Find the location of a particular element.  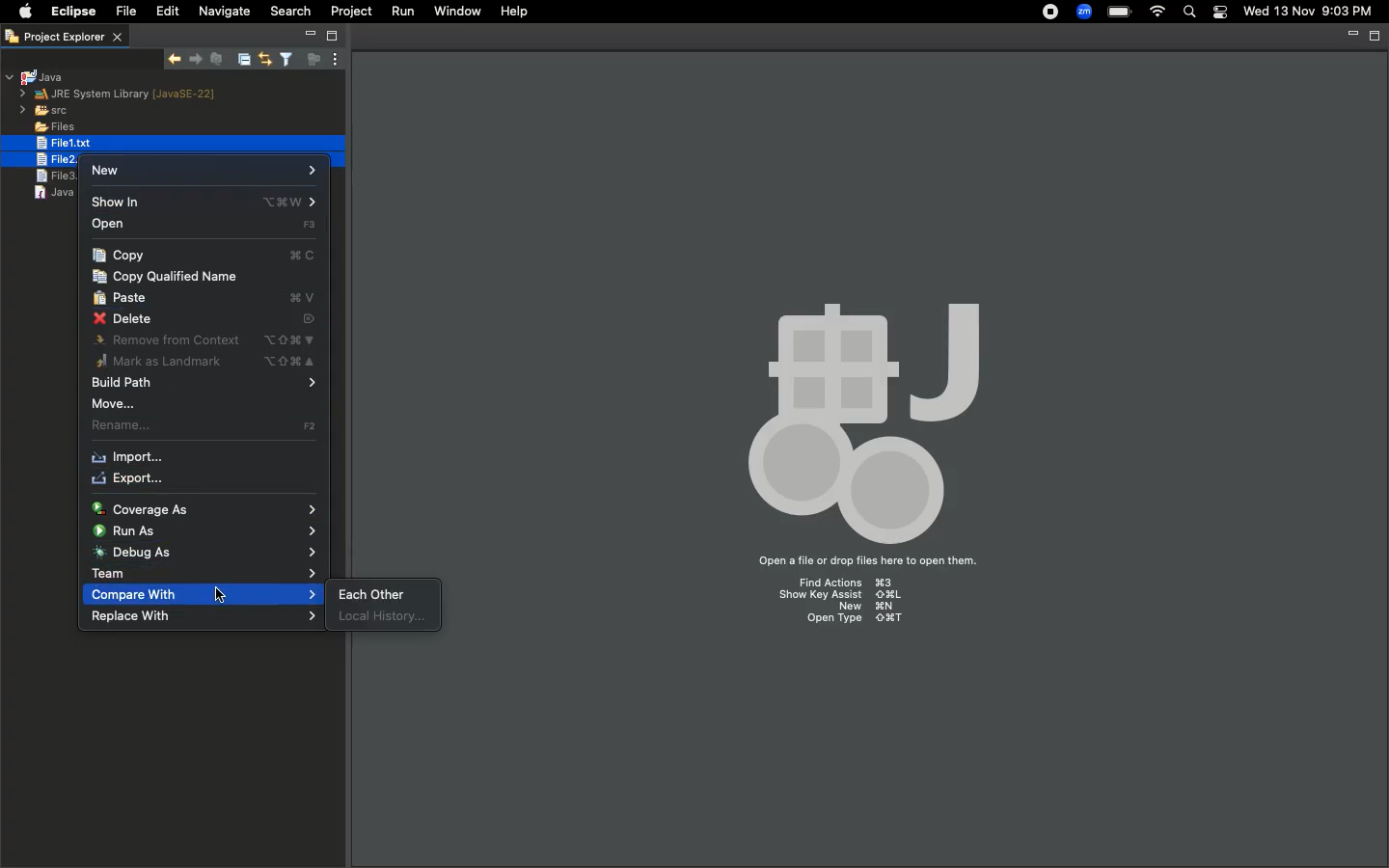

Show in is located at coordinates (204, 203).